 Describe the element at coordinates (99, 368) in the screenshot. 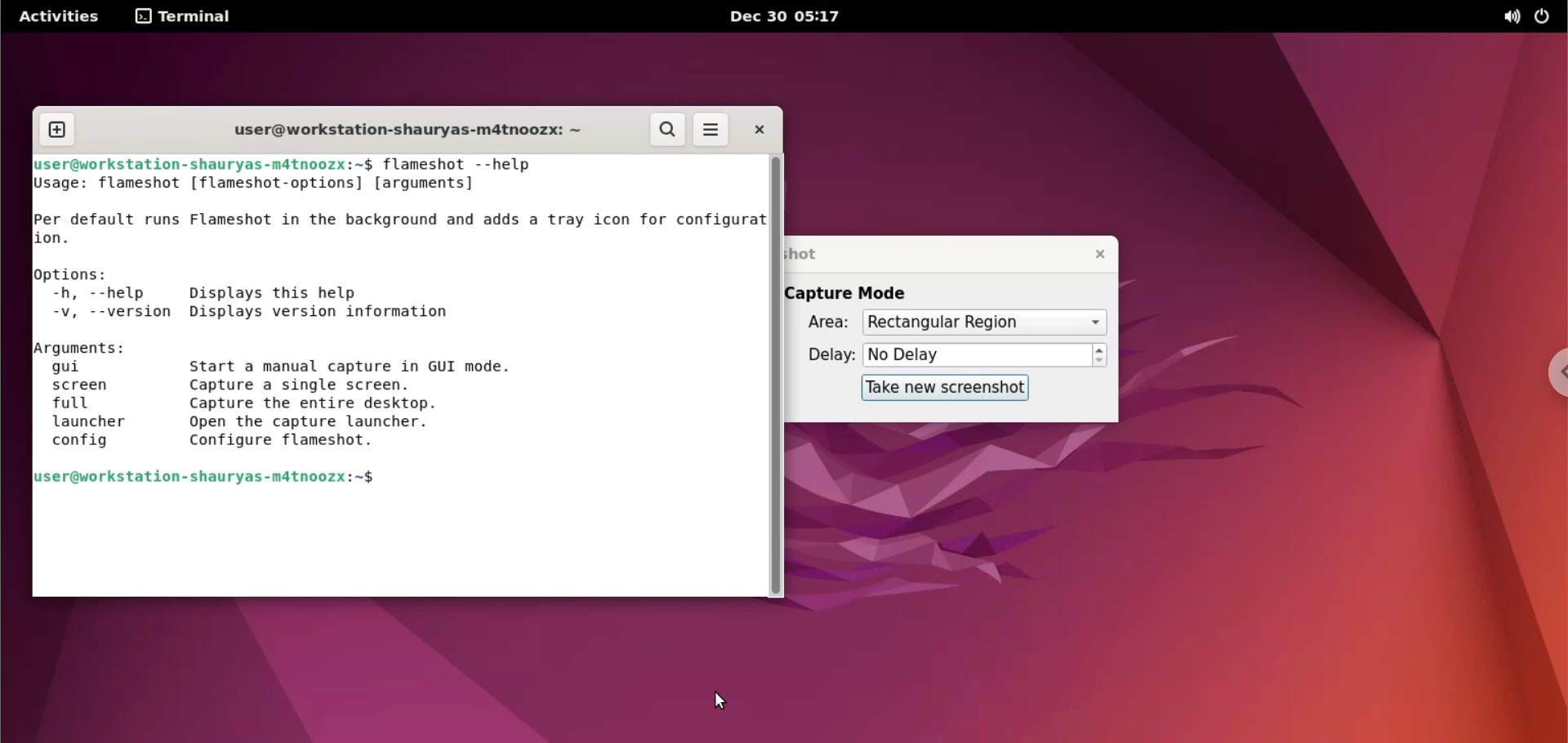

I see `gui` at that location.